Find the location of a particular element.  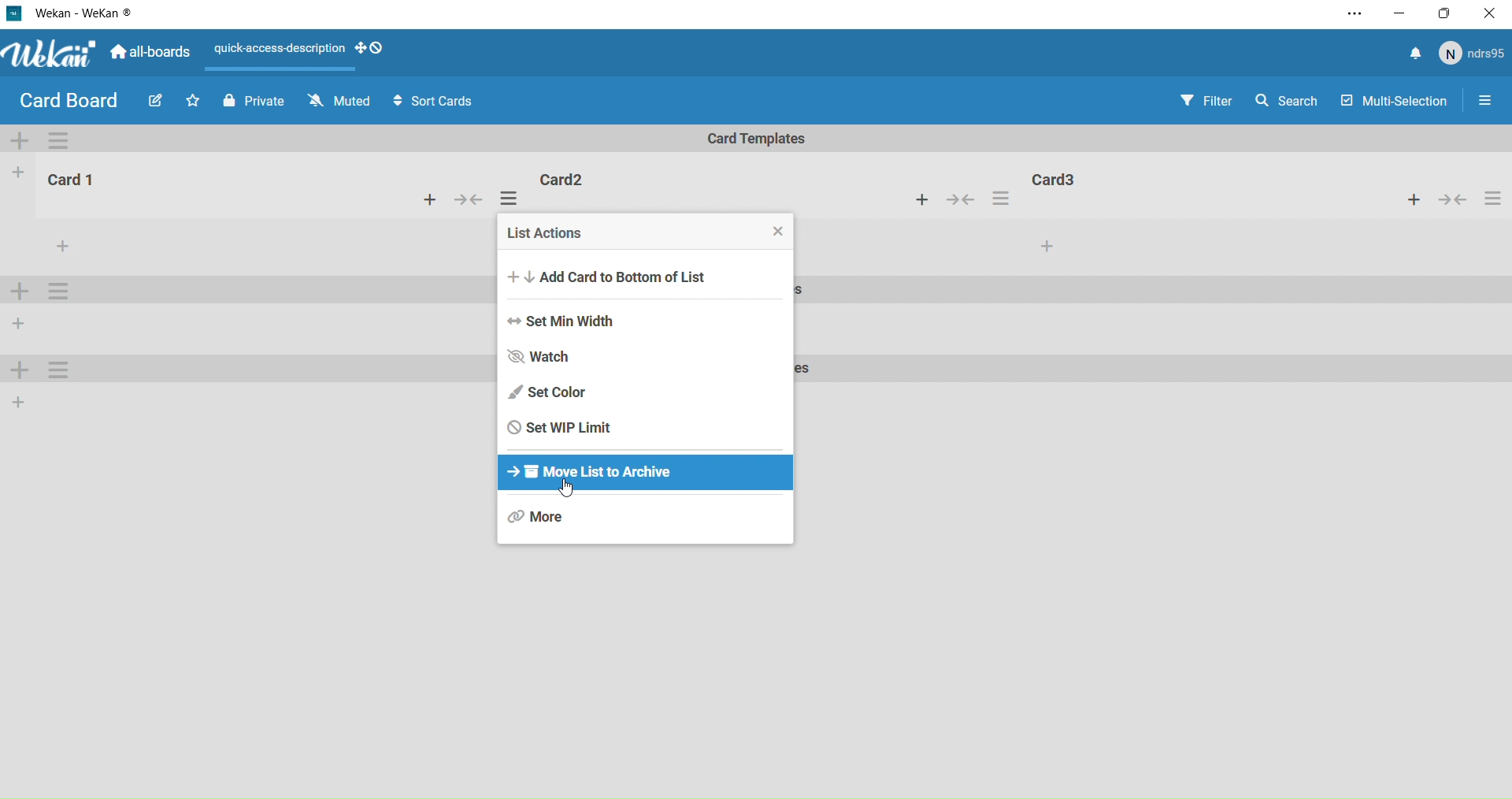

Set WIP Limit is located at coordinates (563, 428).